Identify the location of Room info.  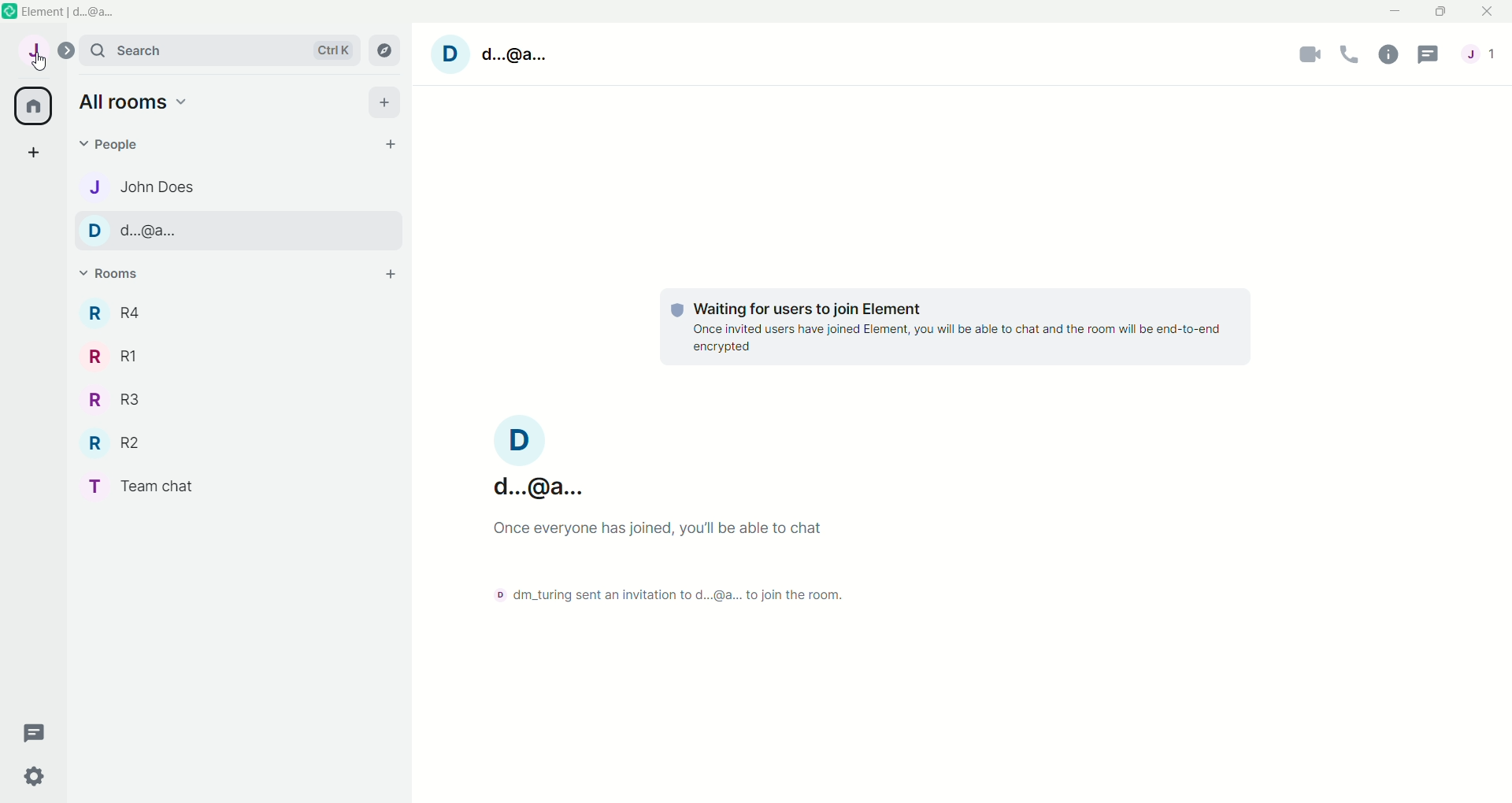
(1391, 54).